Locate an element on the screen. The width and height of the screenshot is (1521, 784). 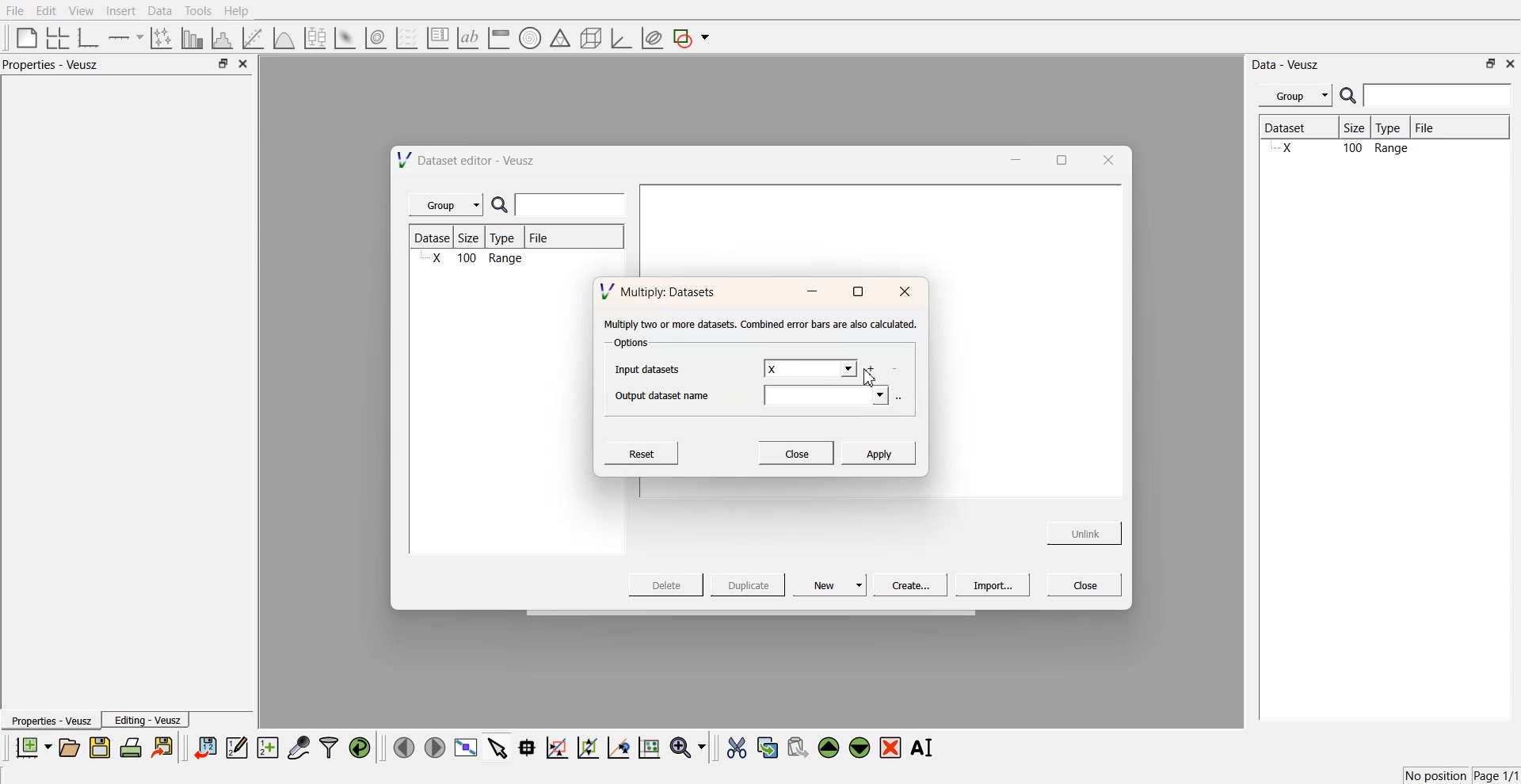
Type is located at coordinates (1393, 128).